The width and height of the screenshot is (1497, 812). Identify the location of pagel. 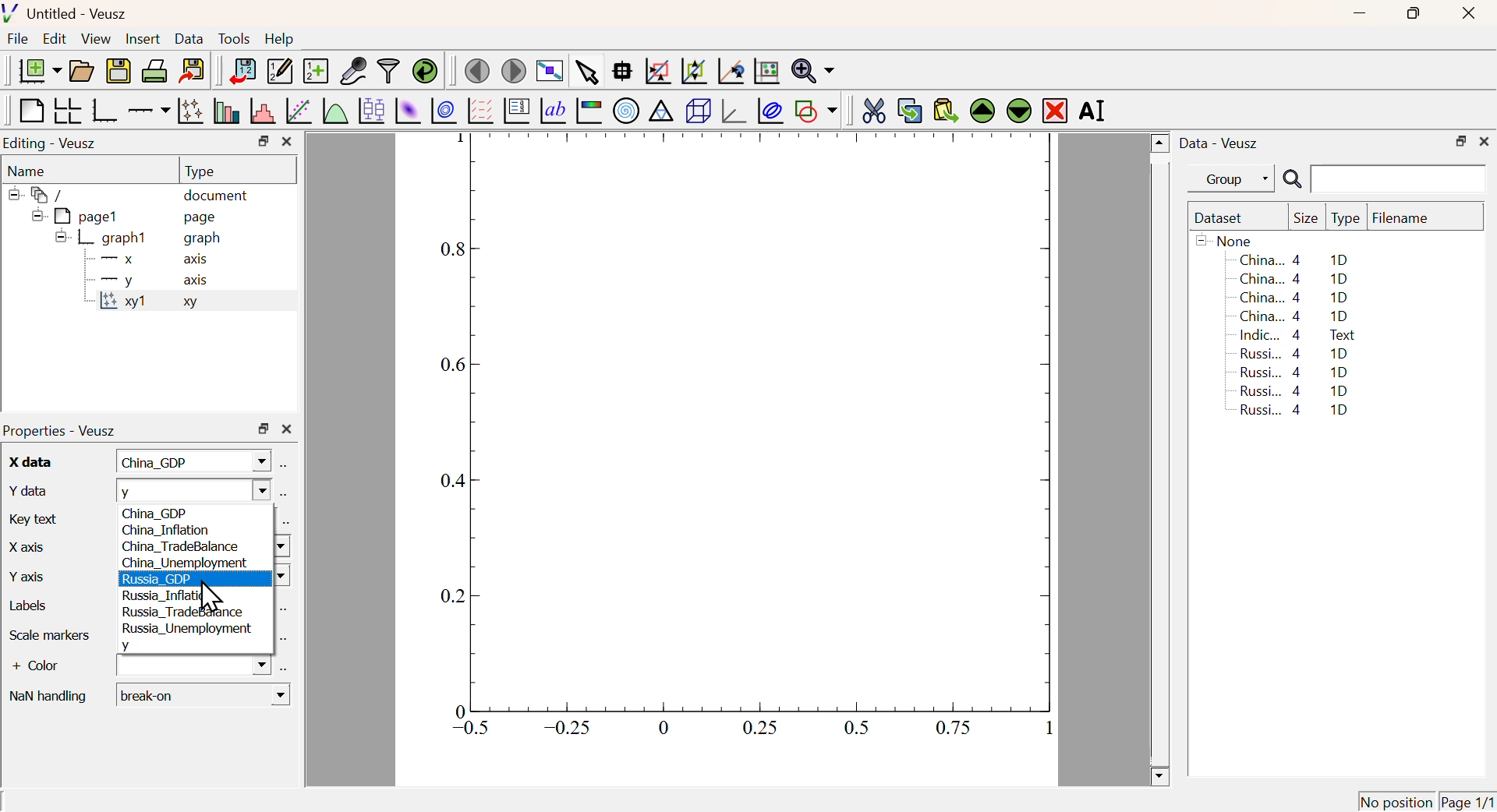
(71, 217).